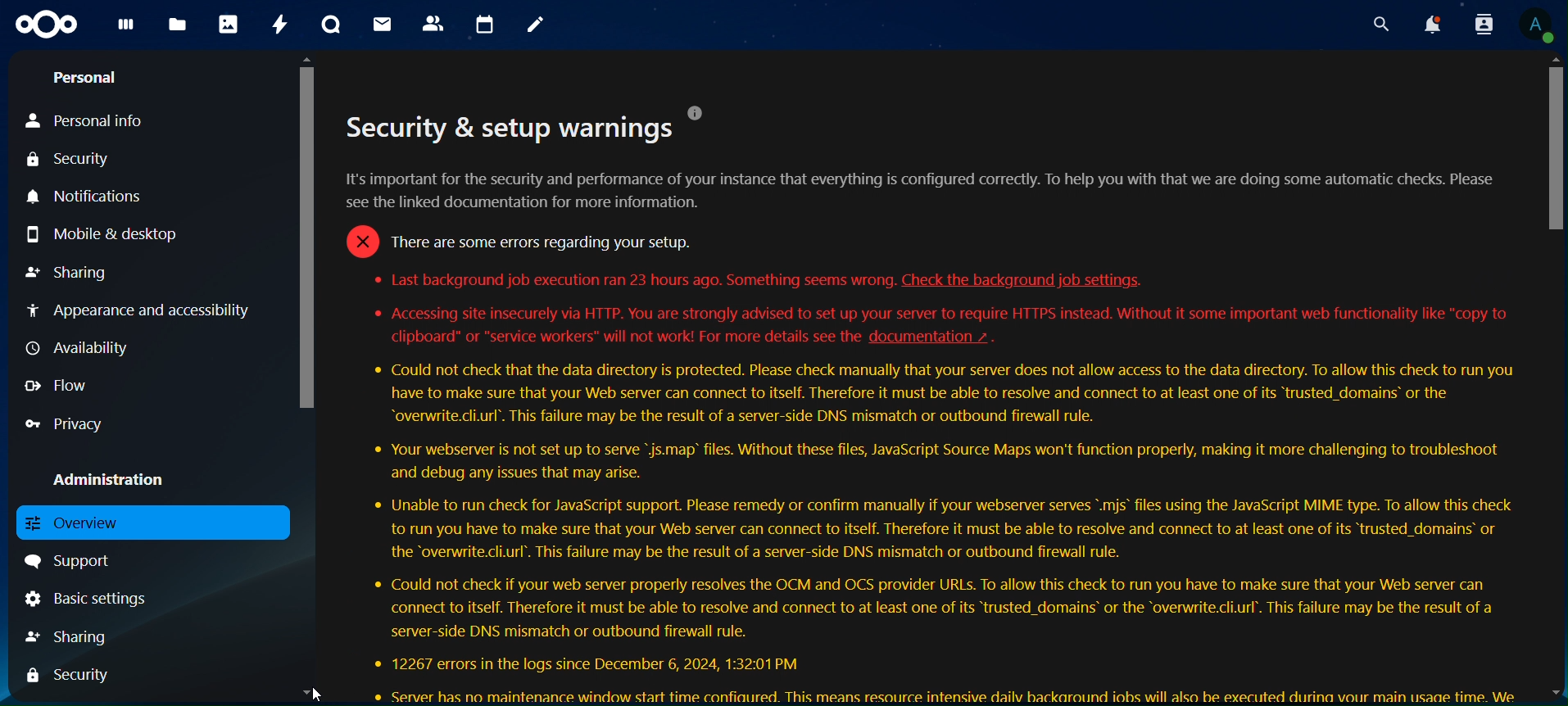 The image size is (1568, 706). I want to click on security, so click(70, 161).